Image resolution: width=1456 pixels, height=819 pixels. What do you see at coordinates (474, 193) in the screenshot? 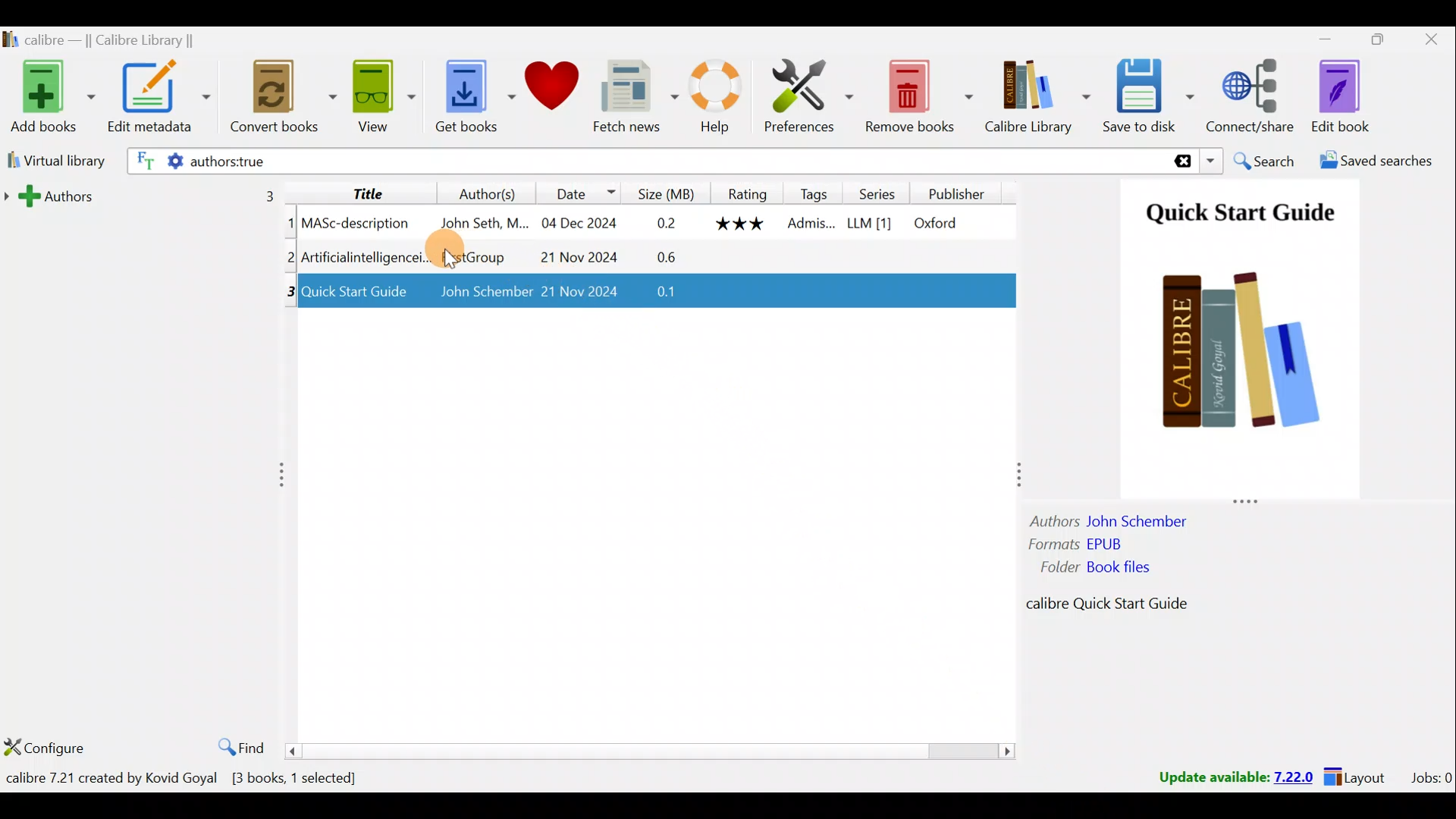
I see `Authors` at bounding box center [474, 193].